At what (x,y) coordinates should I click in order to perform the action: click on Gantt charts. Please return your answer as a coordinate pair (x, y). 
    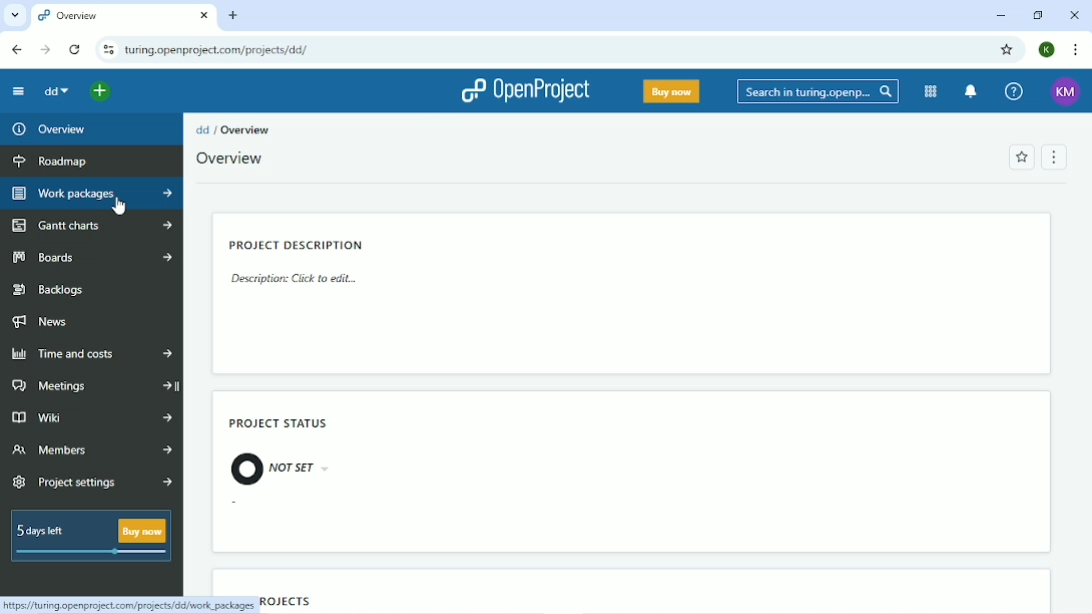
    Looking at the image, I should click on (92, 226).